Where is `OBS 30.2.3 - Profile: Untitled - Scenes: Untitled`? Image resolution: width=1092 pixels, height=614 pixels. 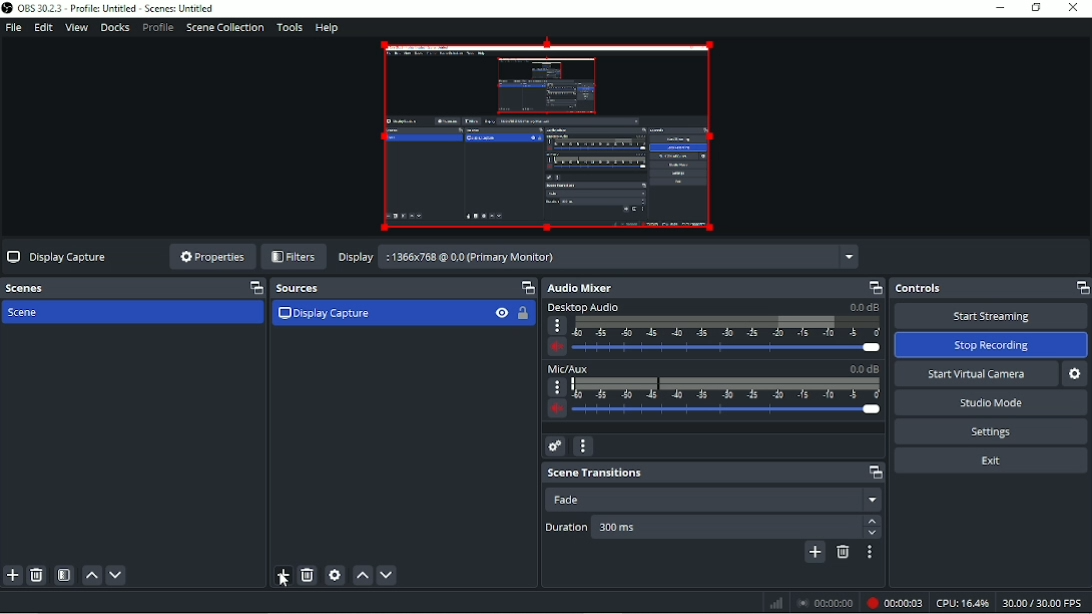
OBS 30.2.3 - Profile: Untitled - Scenes: Untitled is located at coordinates (116, 8).